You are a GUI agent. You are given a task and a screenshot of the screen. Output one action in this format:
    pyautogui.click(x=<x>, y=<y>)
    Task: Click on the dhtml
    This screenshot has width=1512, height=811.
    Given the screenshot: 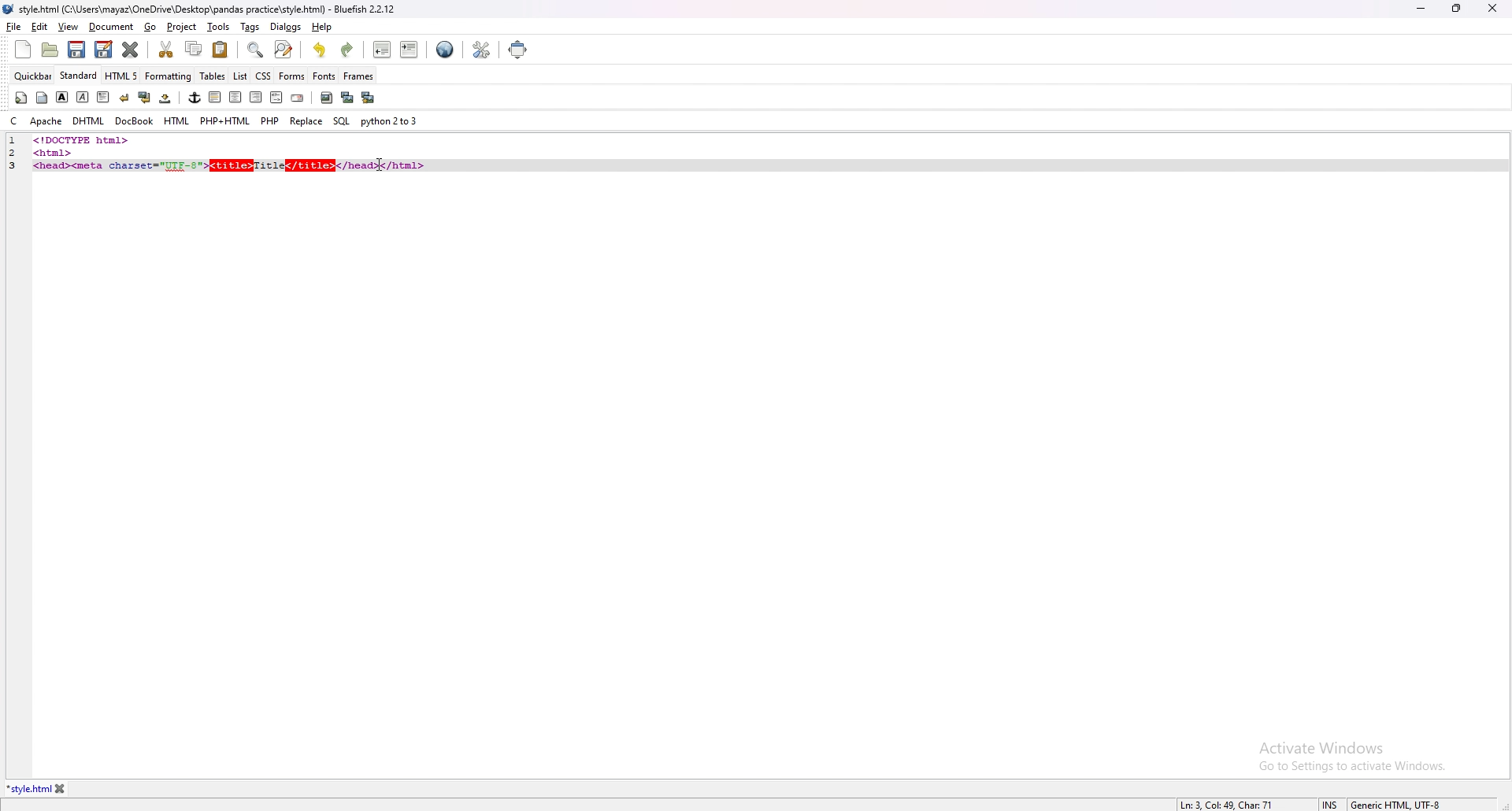 What is the action you would take?
    pyautogui.click(x=88, y=122)
    